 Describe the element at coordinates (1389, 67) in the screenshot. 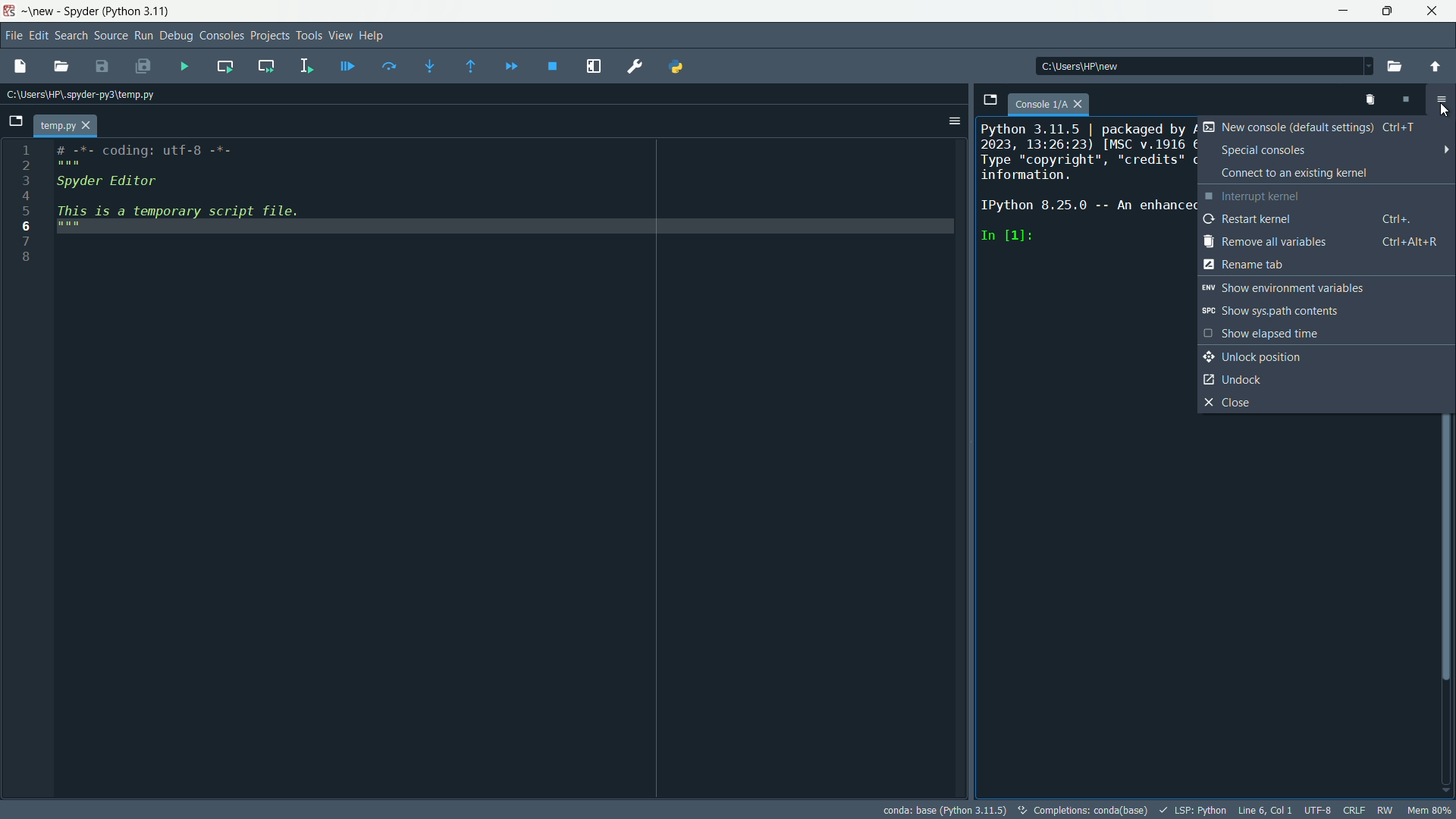

I see `browse a working directory` at that location.